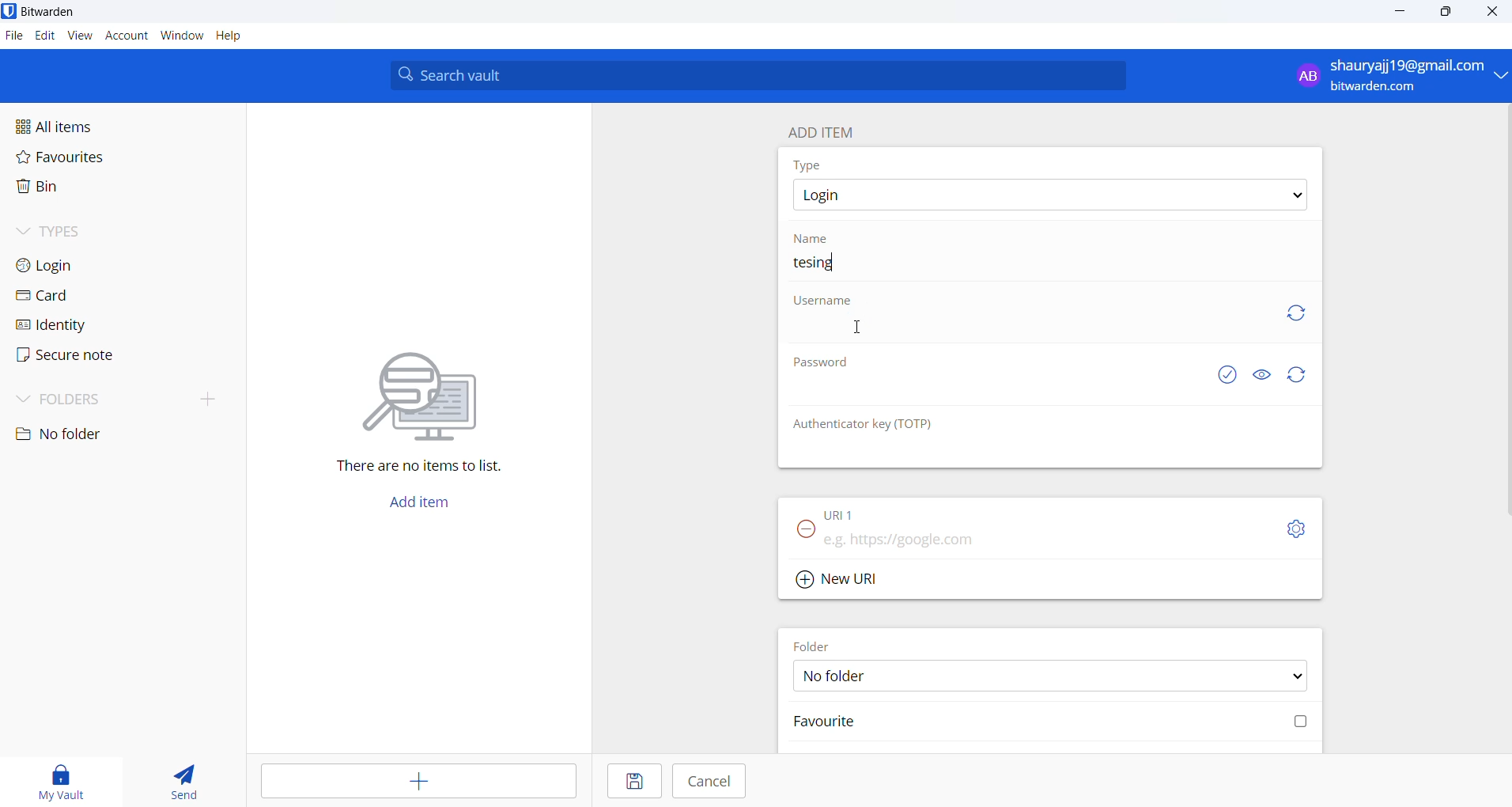 The image size is (1512, 807). What do you see at coordinates (1057, 675) in the screenshot?
I see `FOLDER OPTIONS` at bounding box center [1057, 675].